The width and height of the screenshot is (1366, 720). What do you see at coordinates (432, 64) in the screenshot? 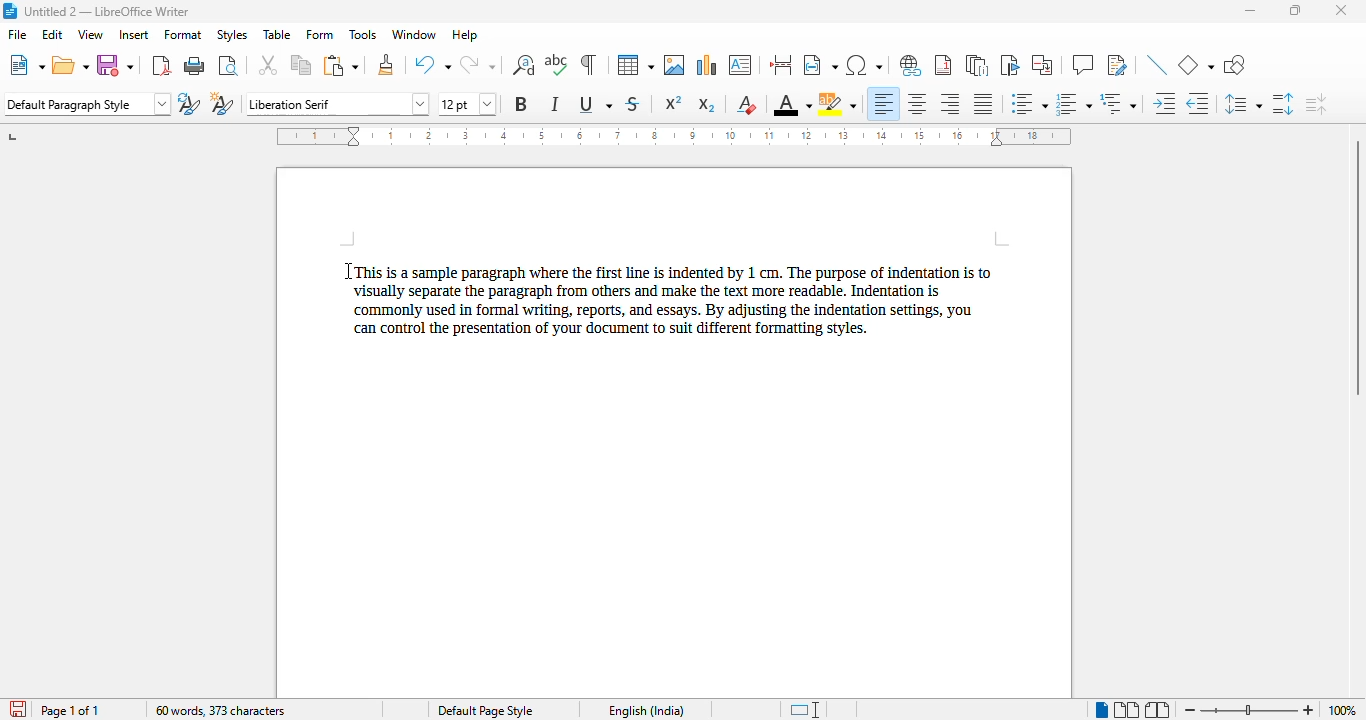
I see `undo` at bounding box center [432, 64].